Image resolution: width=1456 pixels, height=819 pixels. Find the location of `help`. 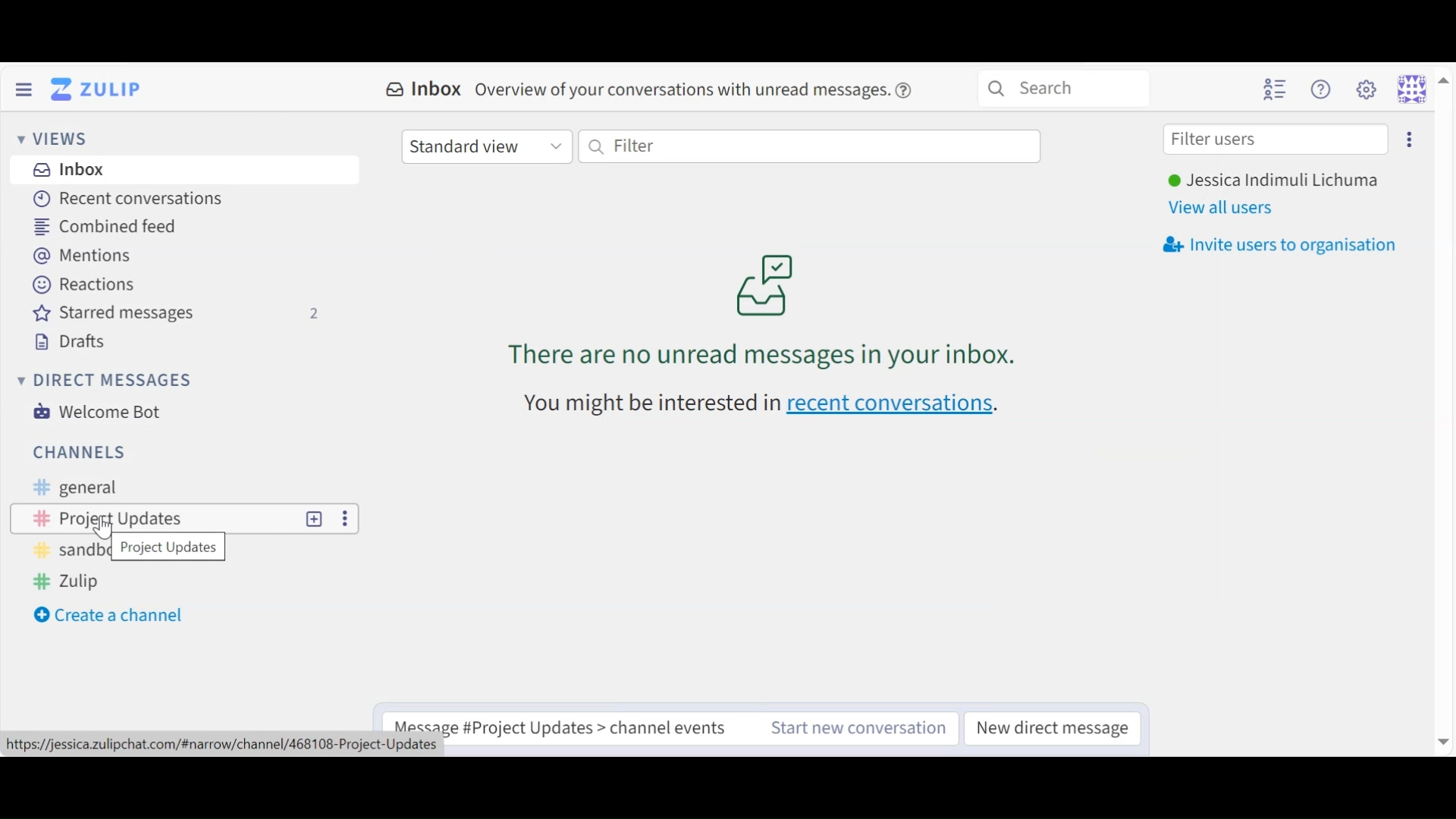

help is located at coordinates (908, 90).